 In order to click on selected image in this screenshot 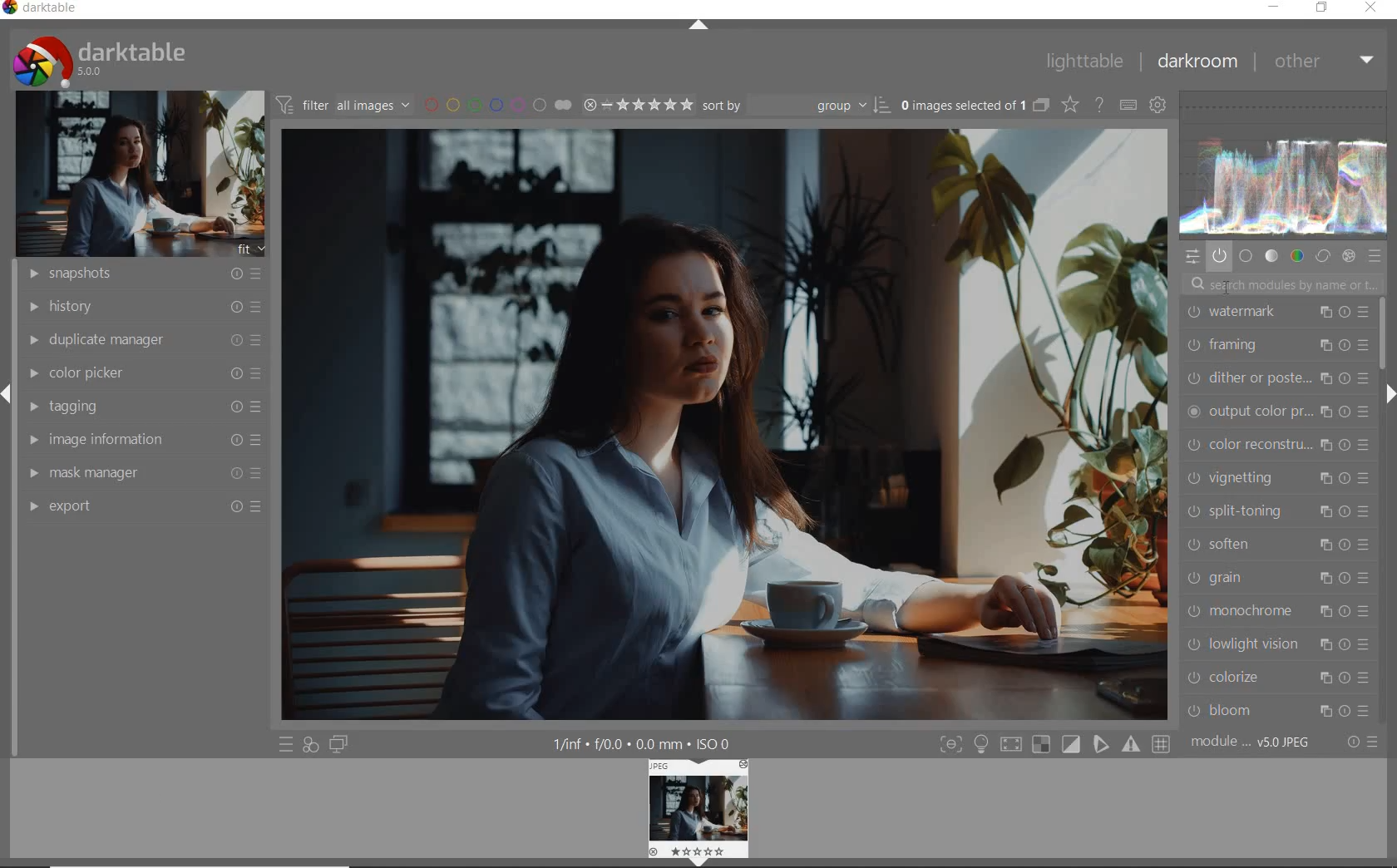, I will do `click(724, 426)`.